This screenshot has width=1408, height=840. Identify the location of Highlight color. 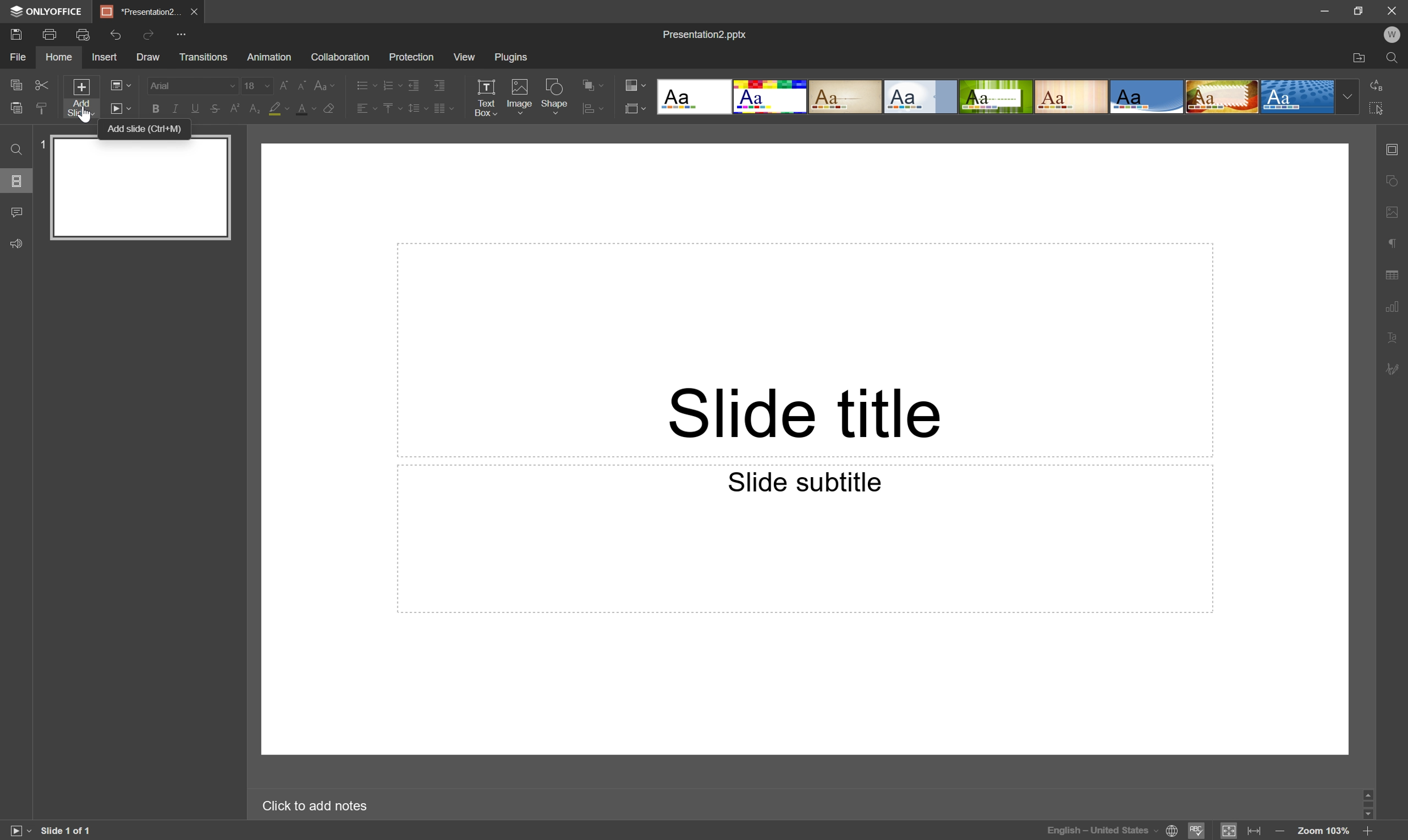
(280, 109).